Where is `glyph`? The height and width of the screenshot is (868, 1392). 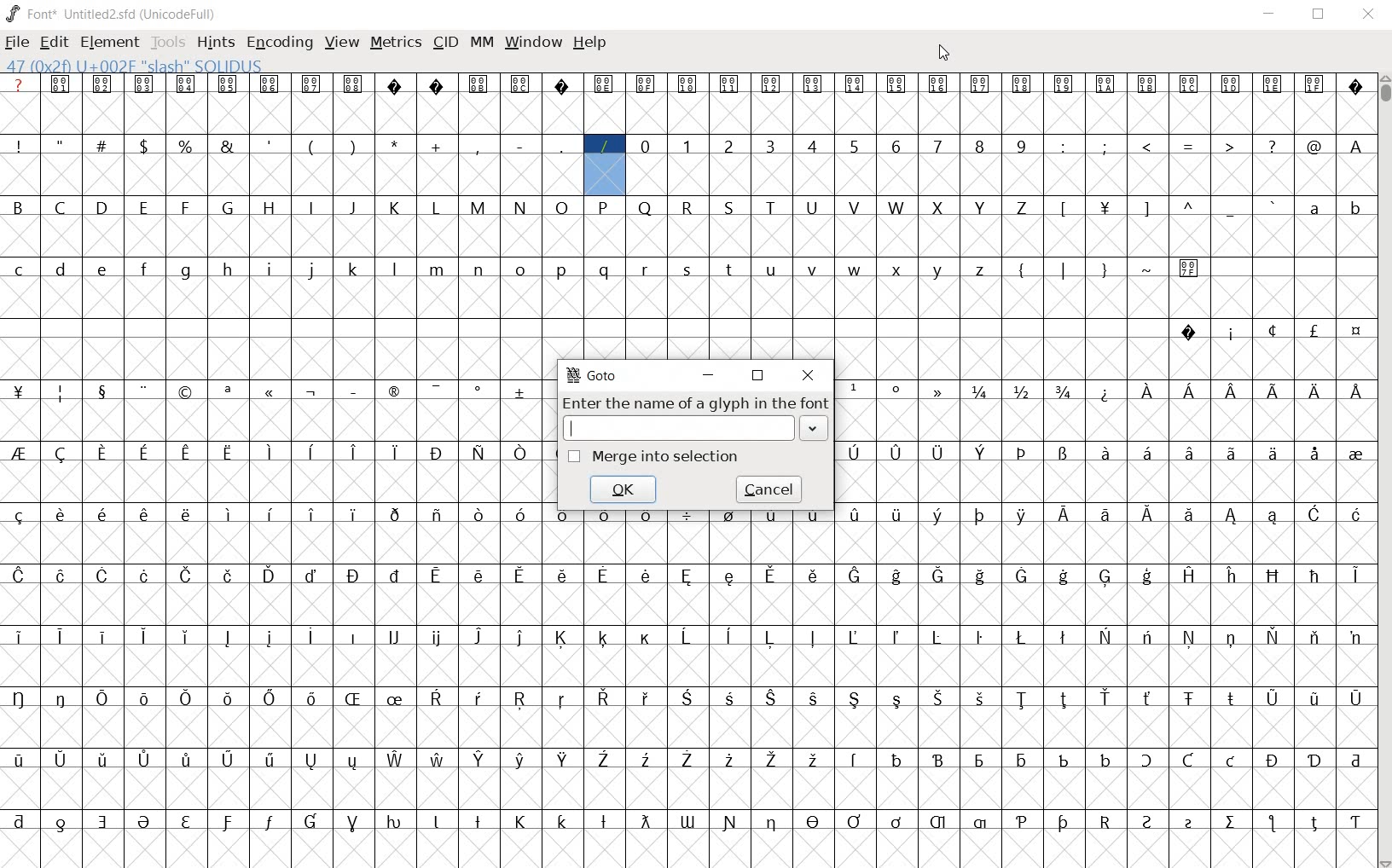 glyph is located at coordinates (143, 822).